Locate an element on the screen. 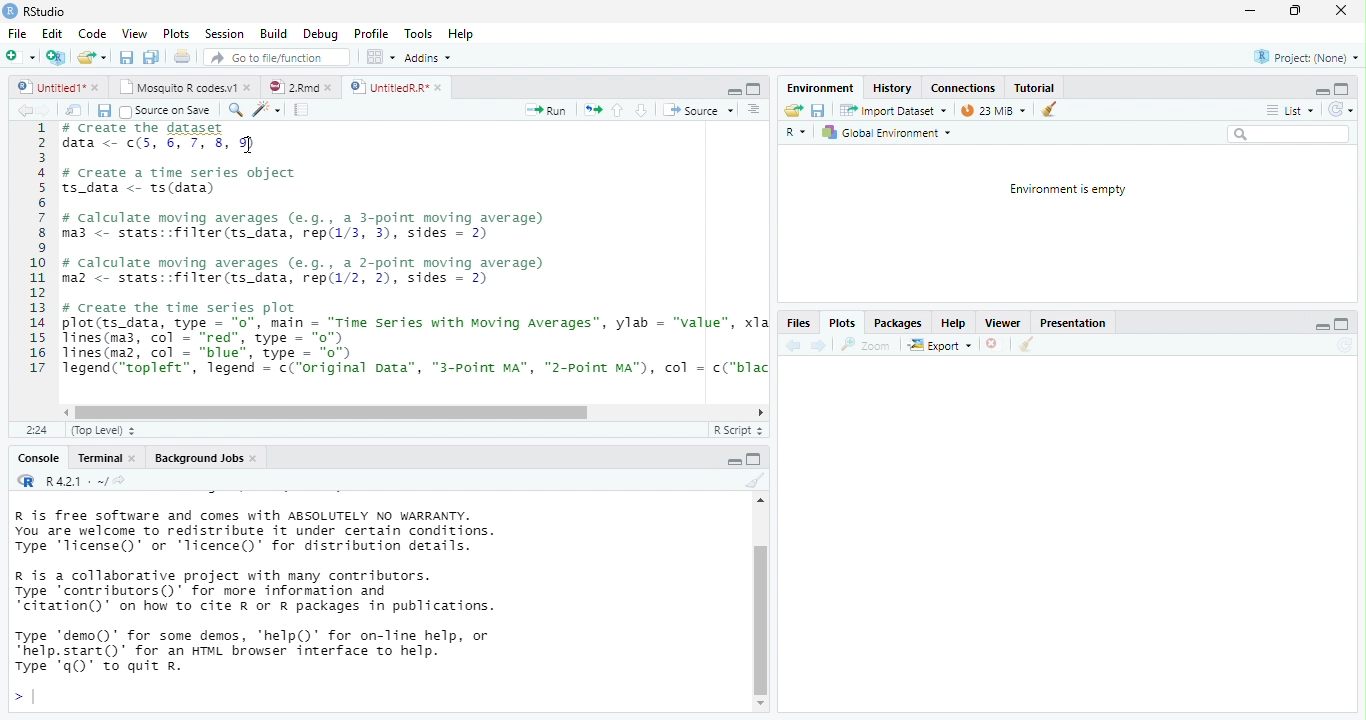 The width and height of the screenshot is (1366, 720). ‘Source is located at coordinates (700, 110).